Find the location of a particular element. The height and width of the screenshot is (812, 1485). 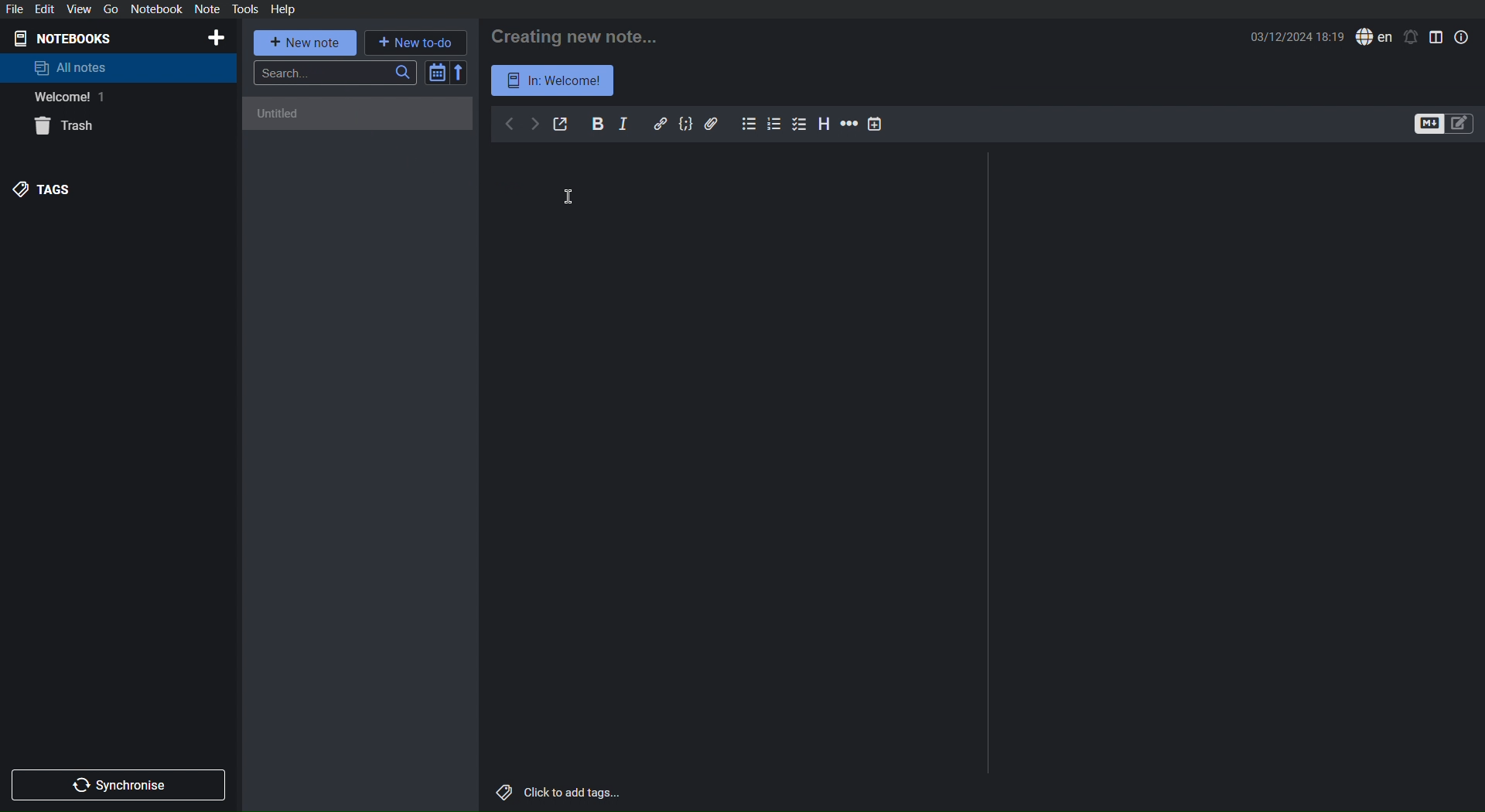

Add is located at coordinates (215, 38).